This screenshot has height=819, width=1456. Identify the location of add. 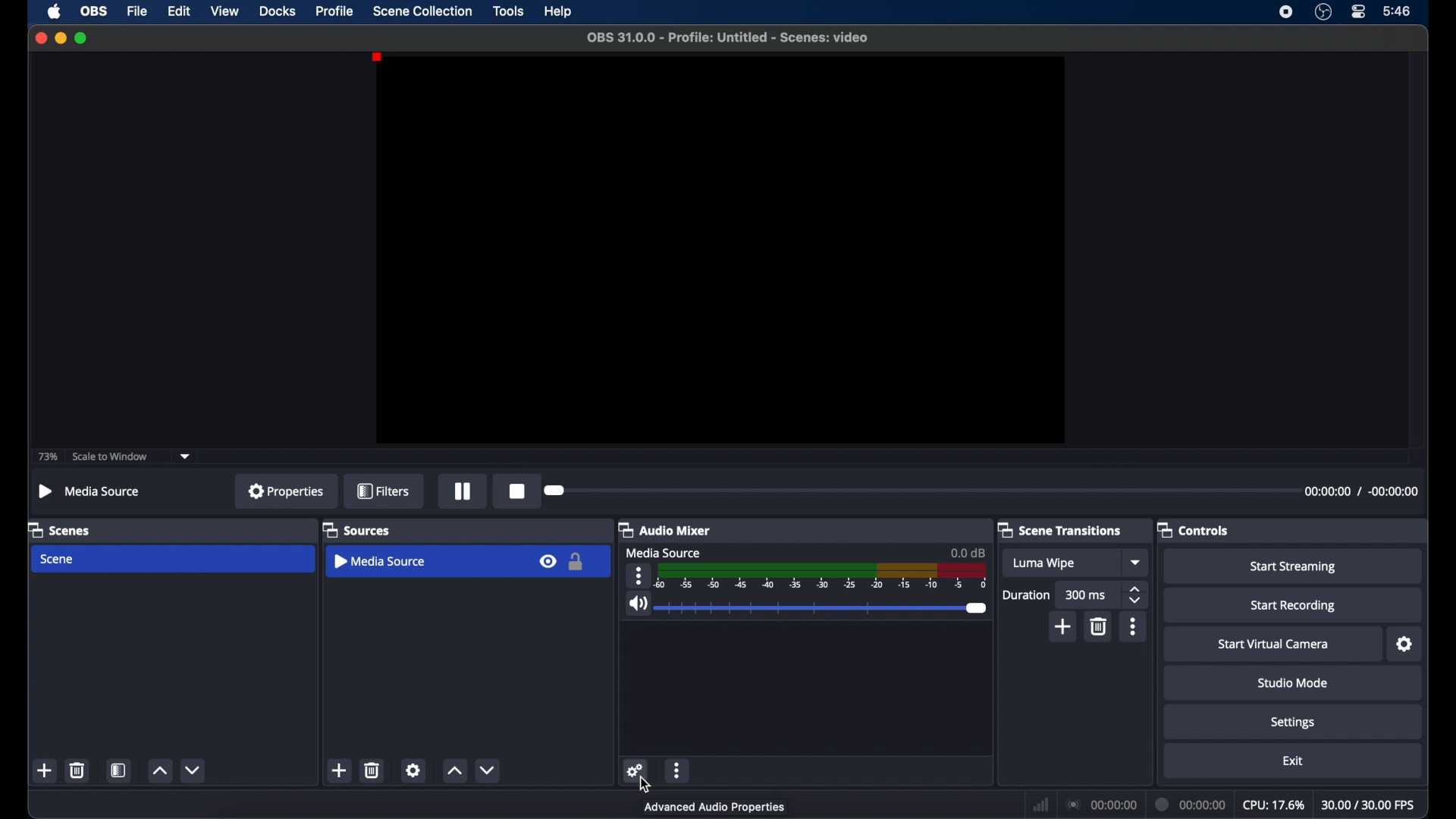
(45, 771).